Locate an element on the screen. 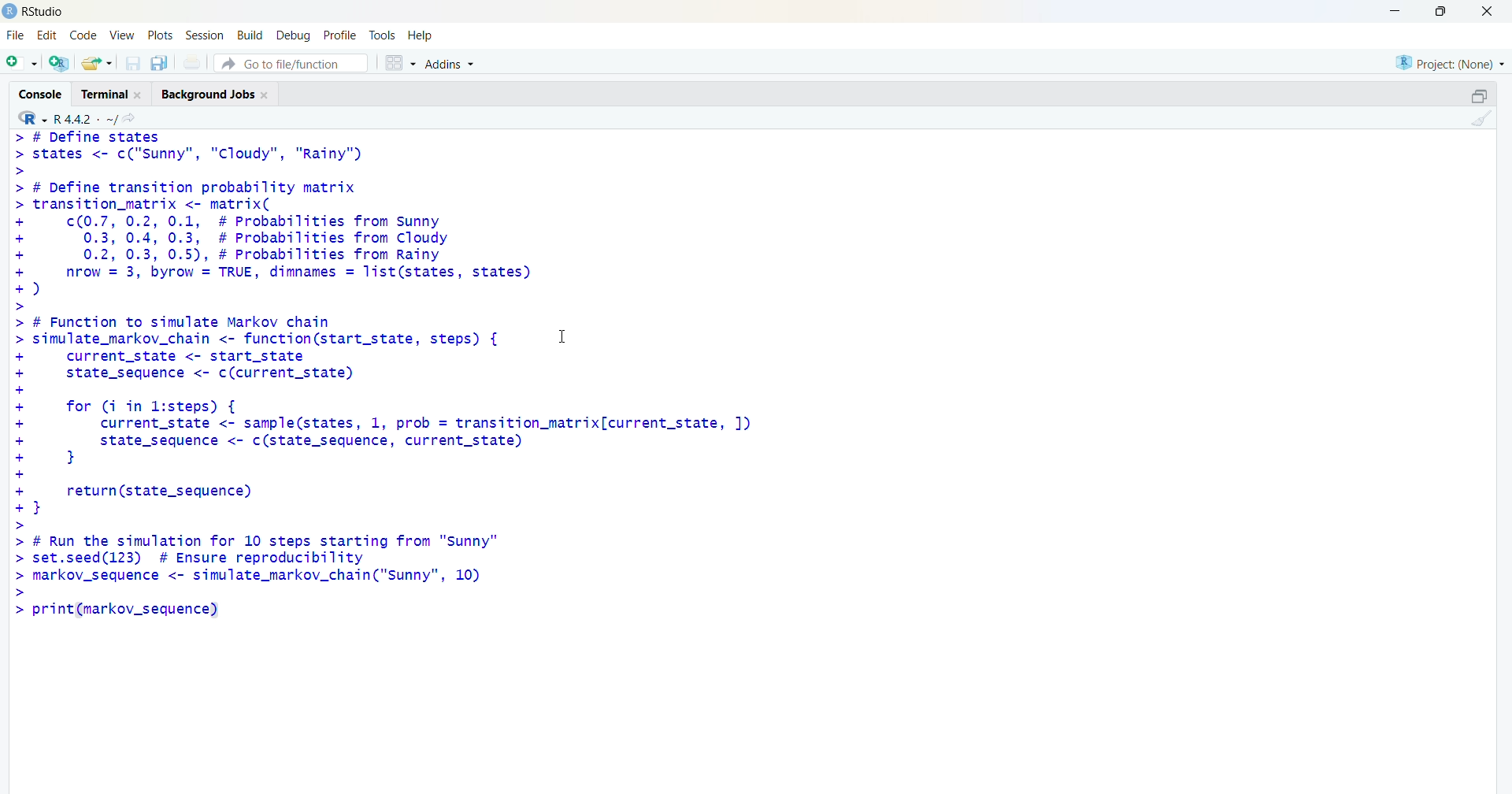  file is located at coordinates (13, 35).